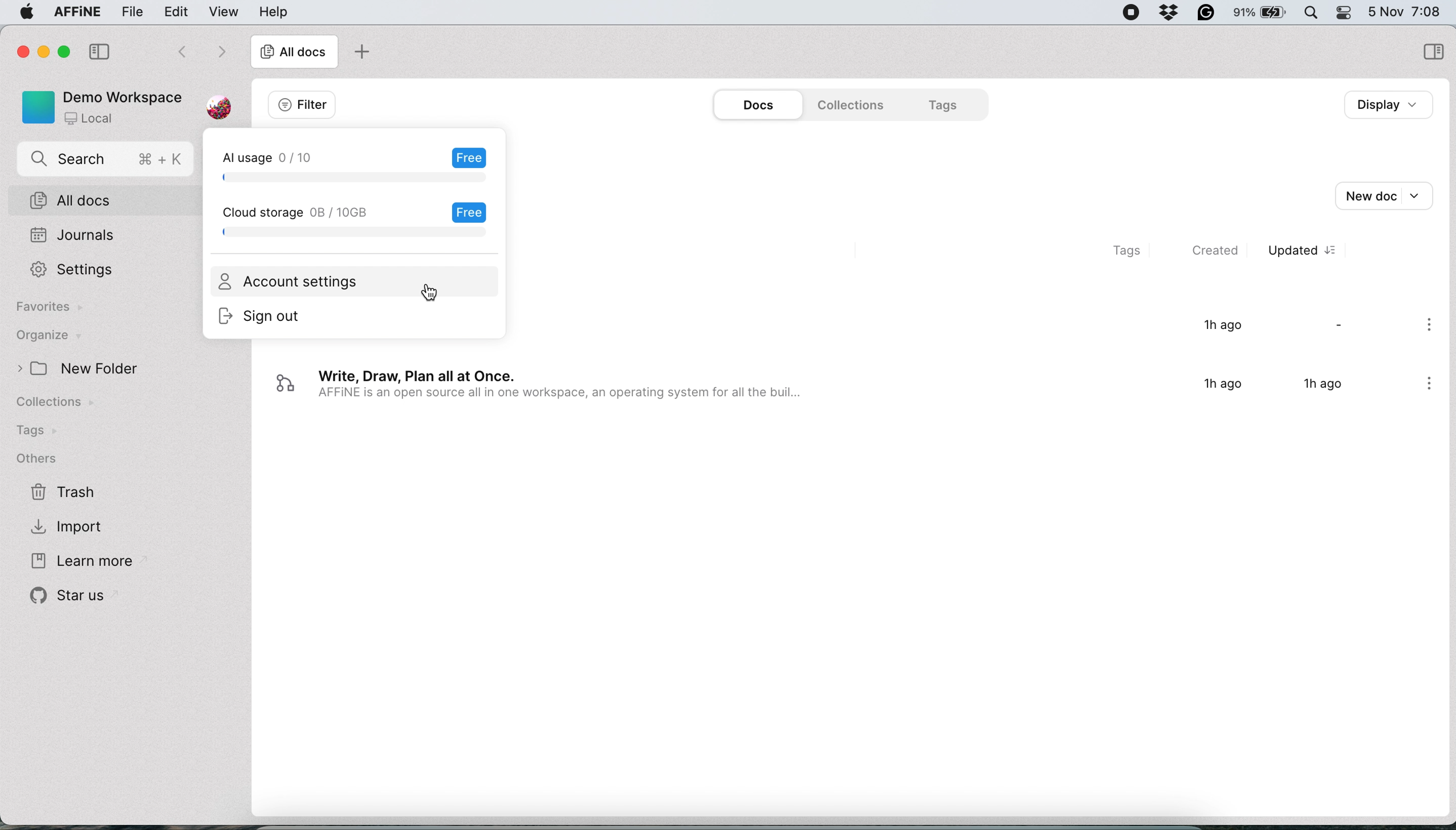  Describe the element at coordinates (76, 528) in the screenshot. I see `import` at that location.